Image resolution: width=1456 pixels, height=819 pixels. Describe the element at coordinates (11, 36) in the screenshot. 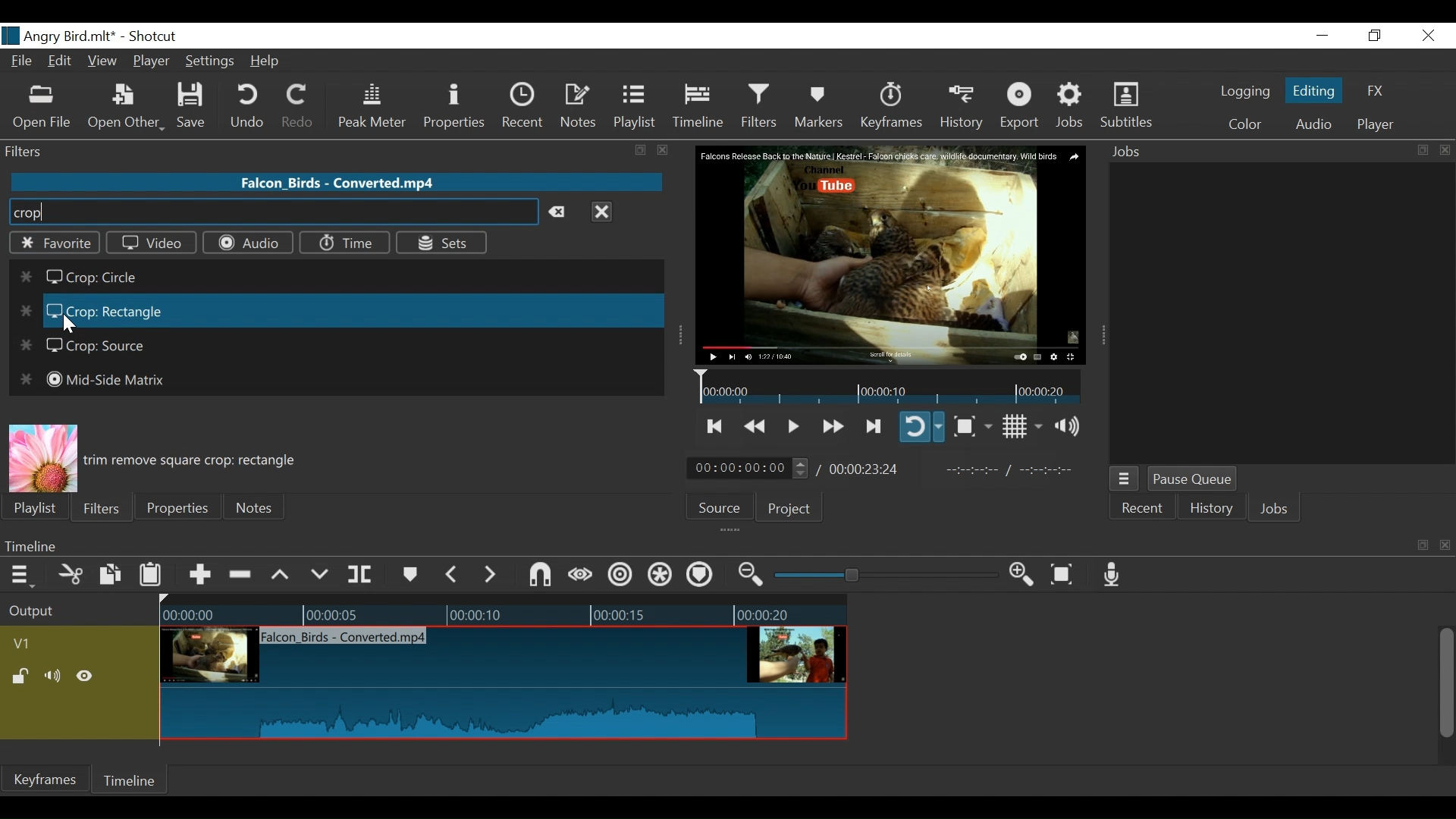

I see `logo` at that location.